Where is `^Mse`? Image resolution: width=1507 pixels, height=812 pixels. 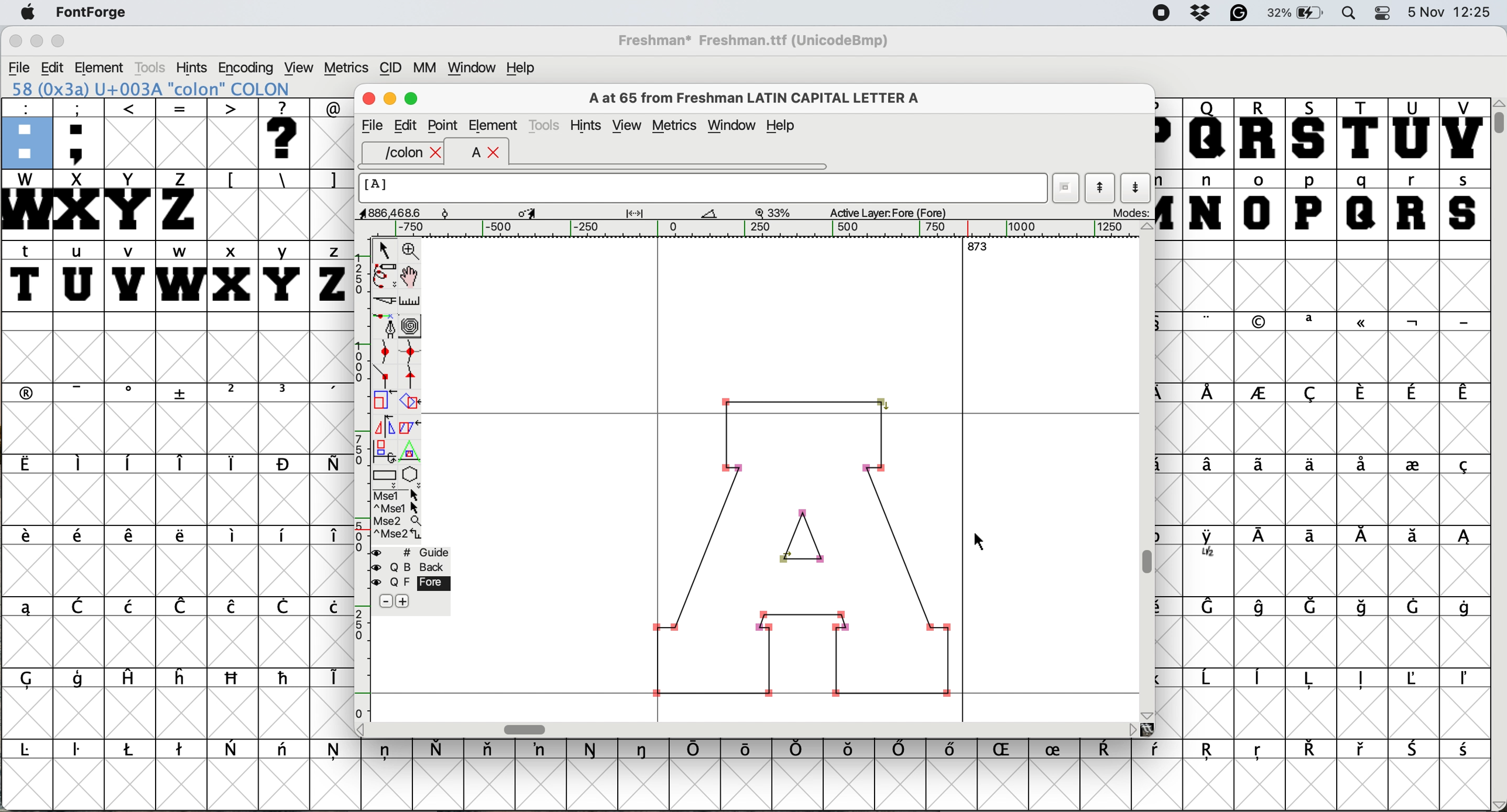 ^Mse is located at coordinates (397, 506).